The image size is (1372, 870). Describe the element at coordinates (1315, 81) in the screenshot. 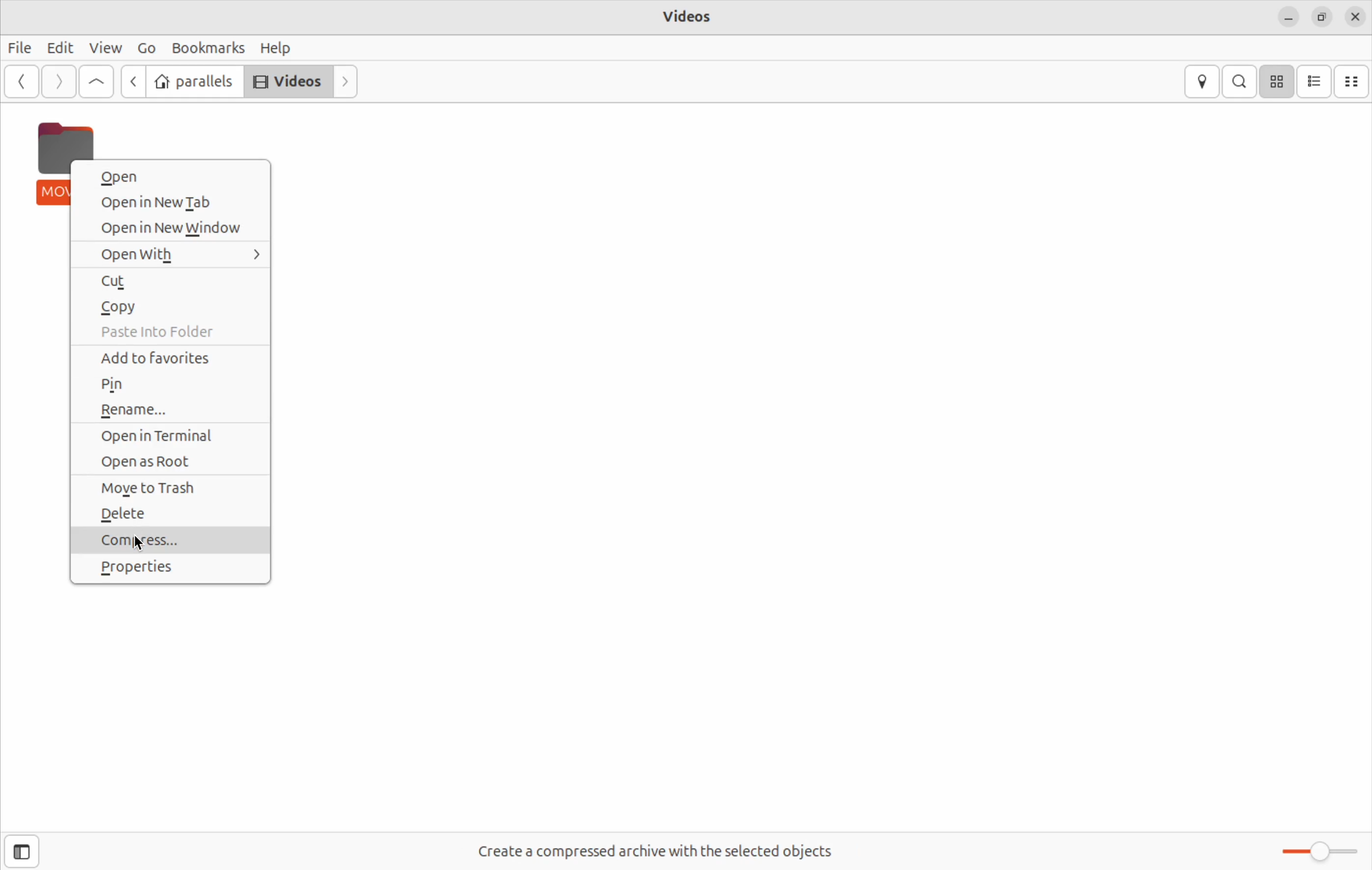

I see `list view` at that location.